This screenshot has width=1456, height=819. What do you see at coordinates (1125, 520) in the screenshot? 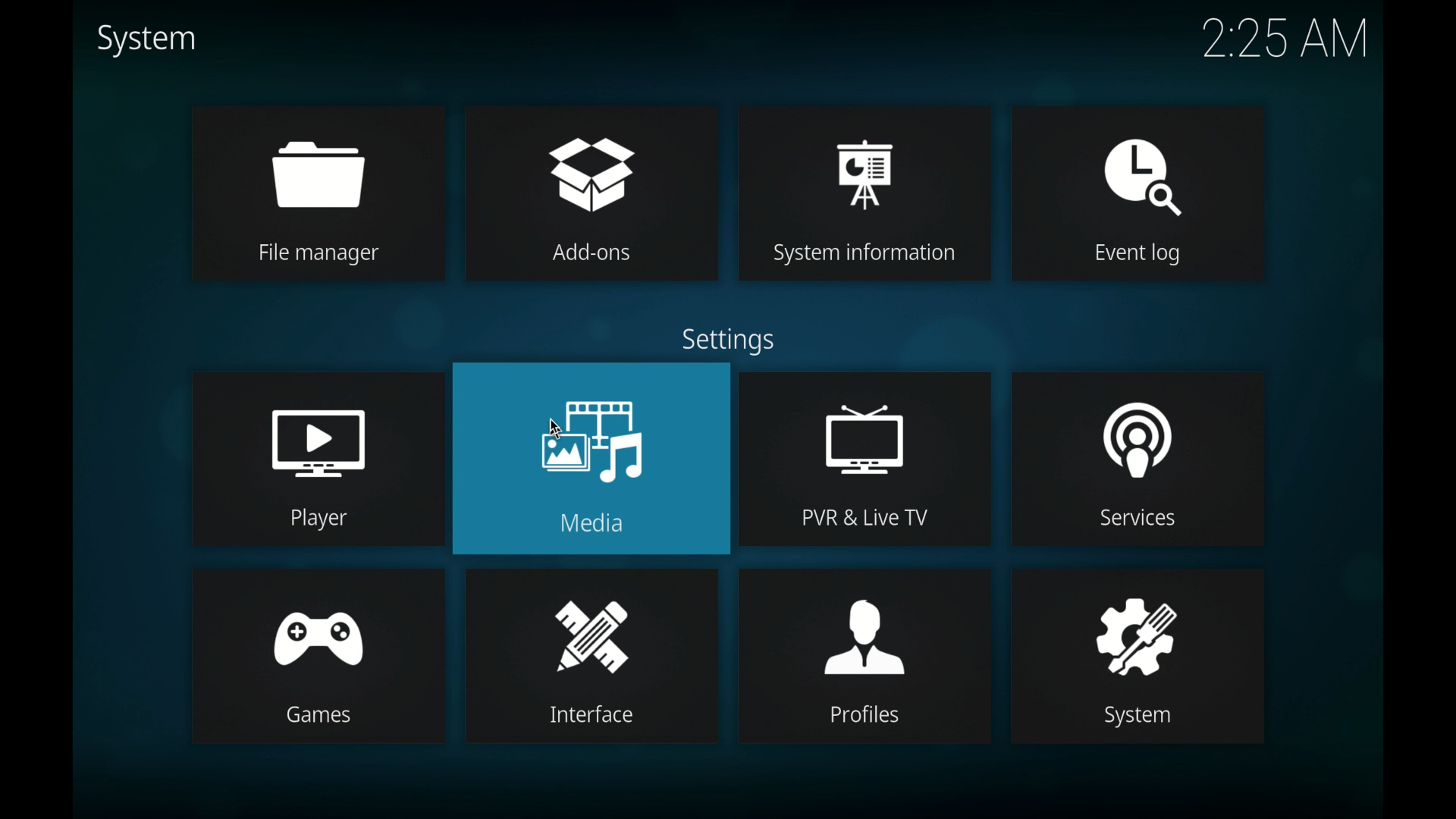
I see ` Services` at bounding box center [1125, 520].